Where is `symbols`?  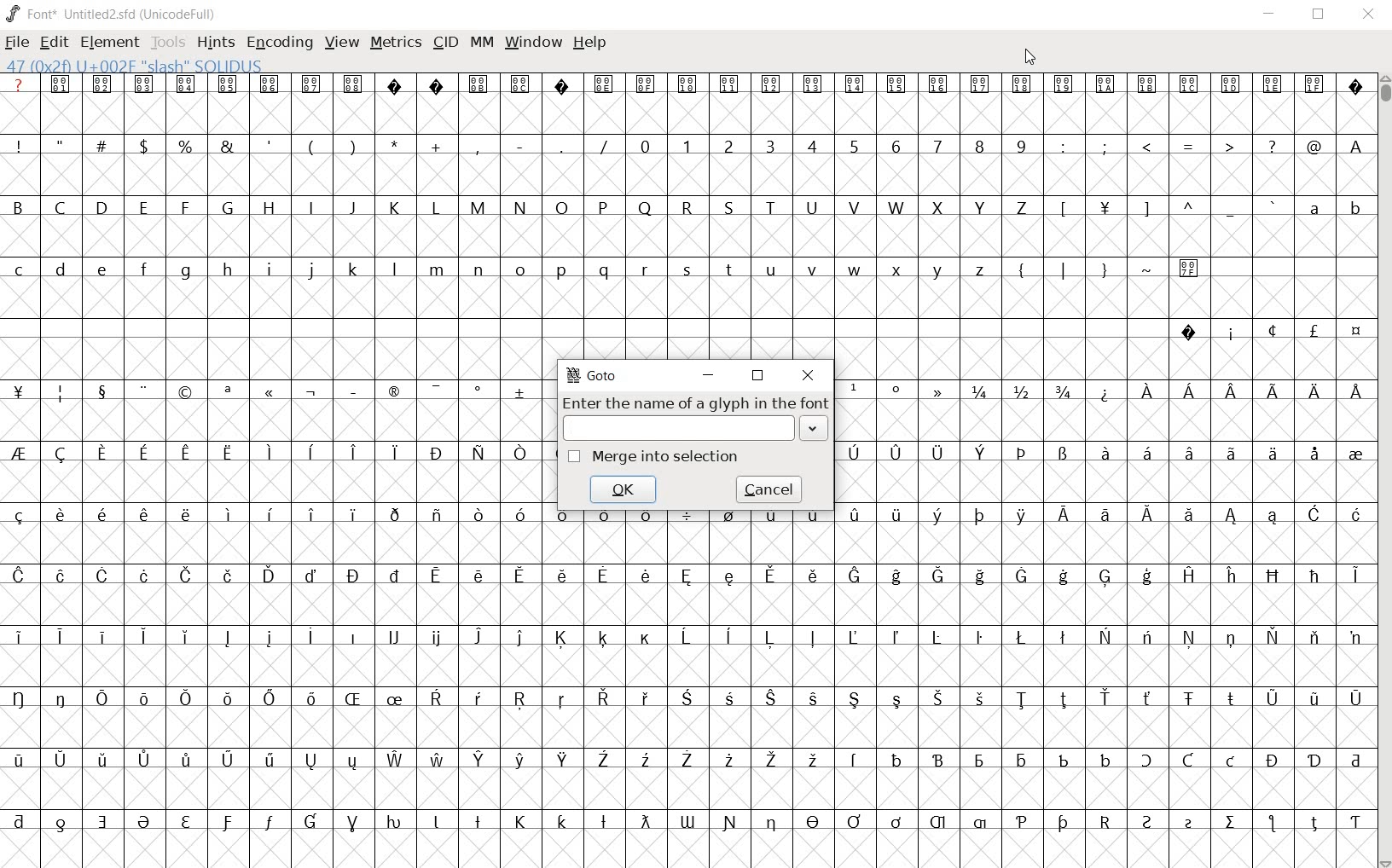 symbols is located at coordinates (1189, 146).